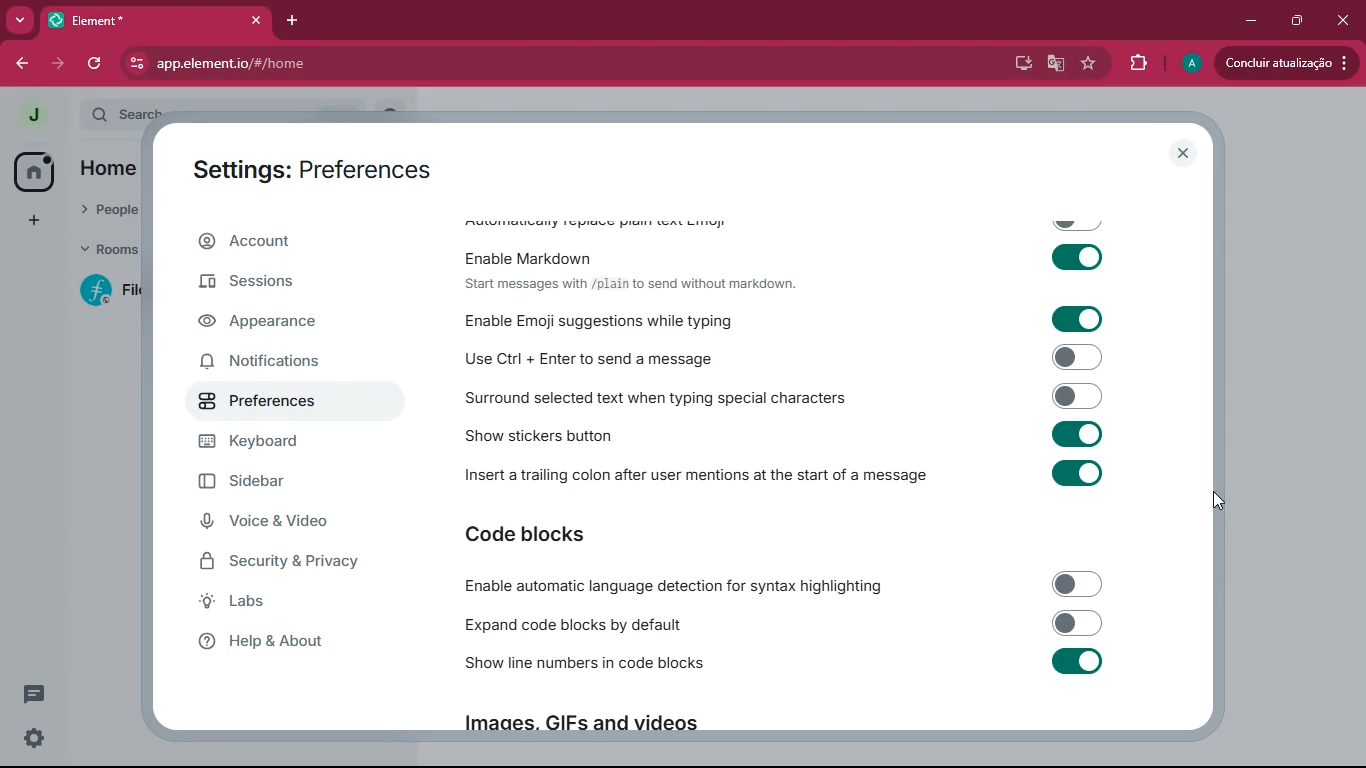 The width and height of the screenshot is (1366, 768). Describe the element at coordinates (1297, 21) in the screenshot. I see `maximize` at that location.